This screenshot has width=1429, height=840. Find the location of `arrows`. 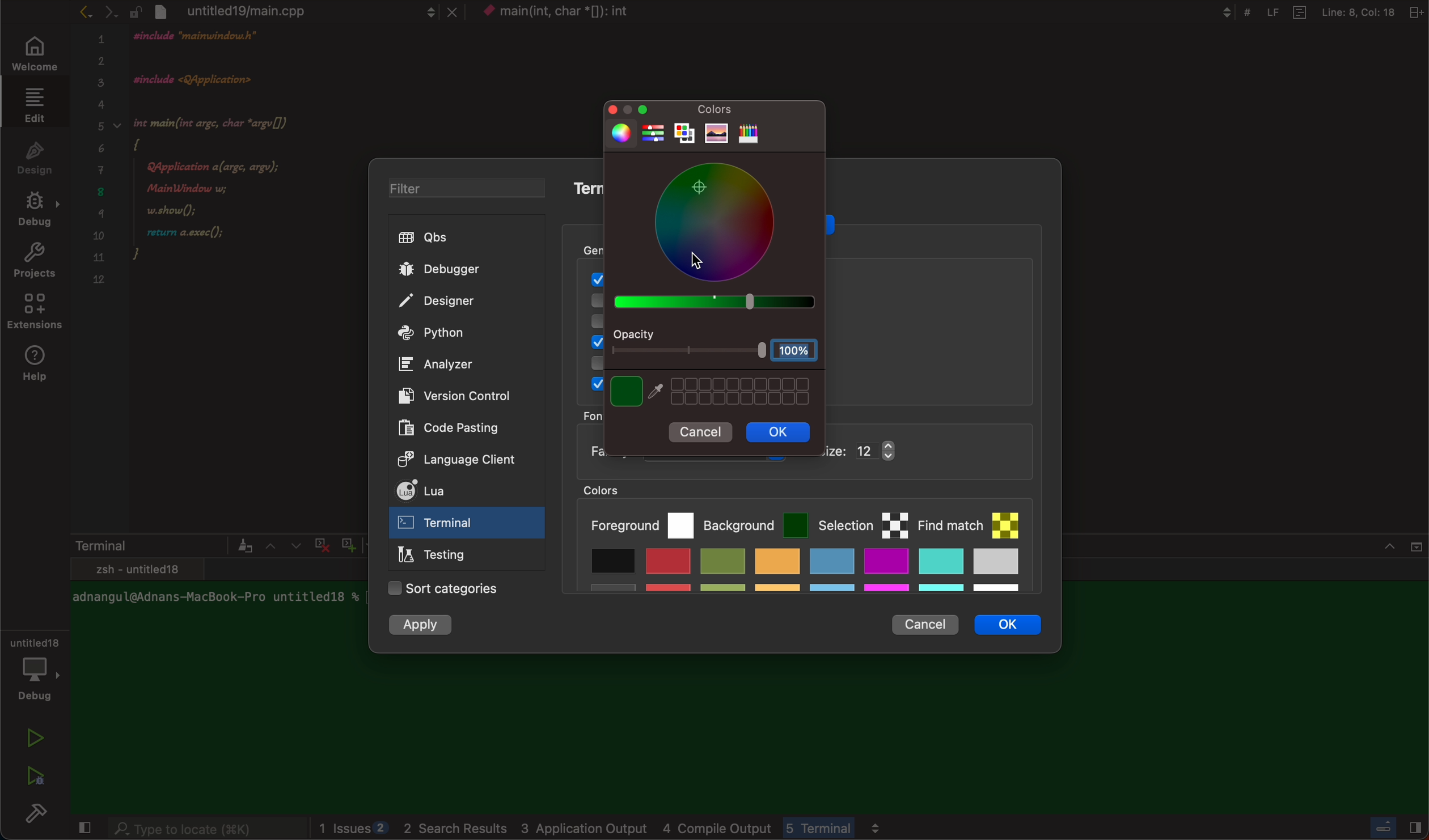

arrows is located at coordinates (97, 11).